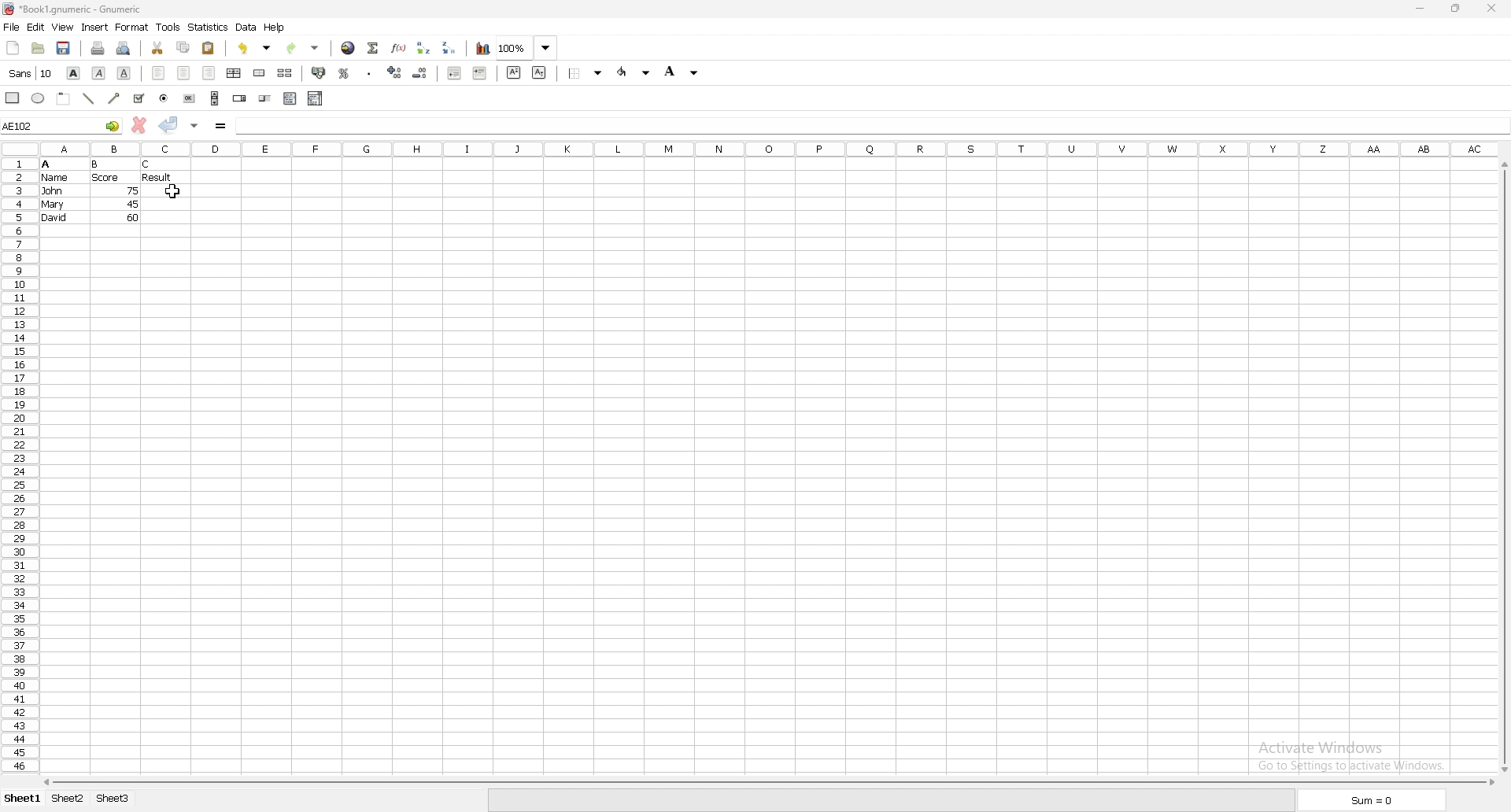 This screenshot has height=812, width=1511. Describe the element at coordinates (190, 98) in the screenshot. I see `button` at that location.